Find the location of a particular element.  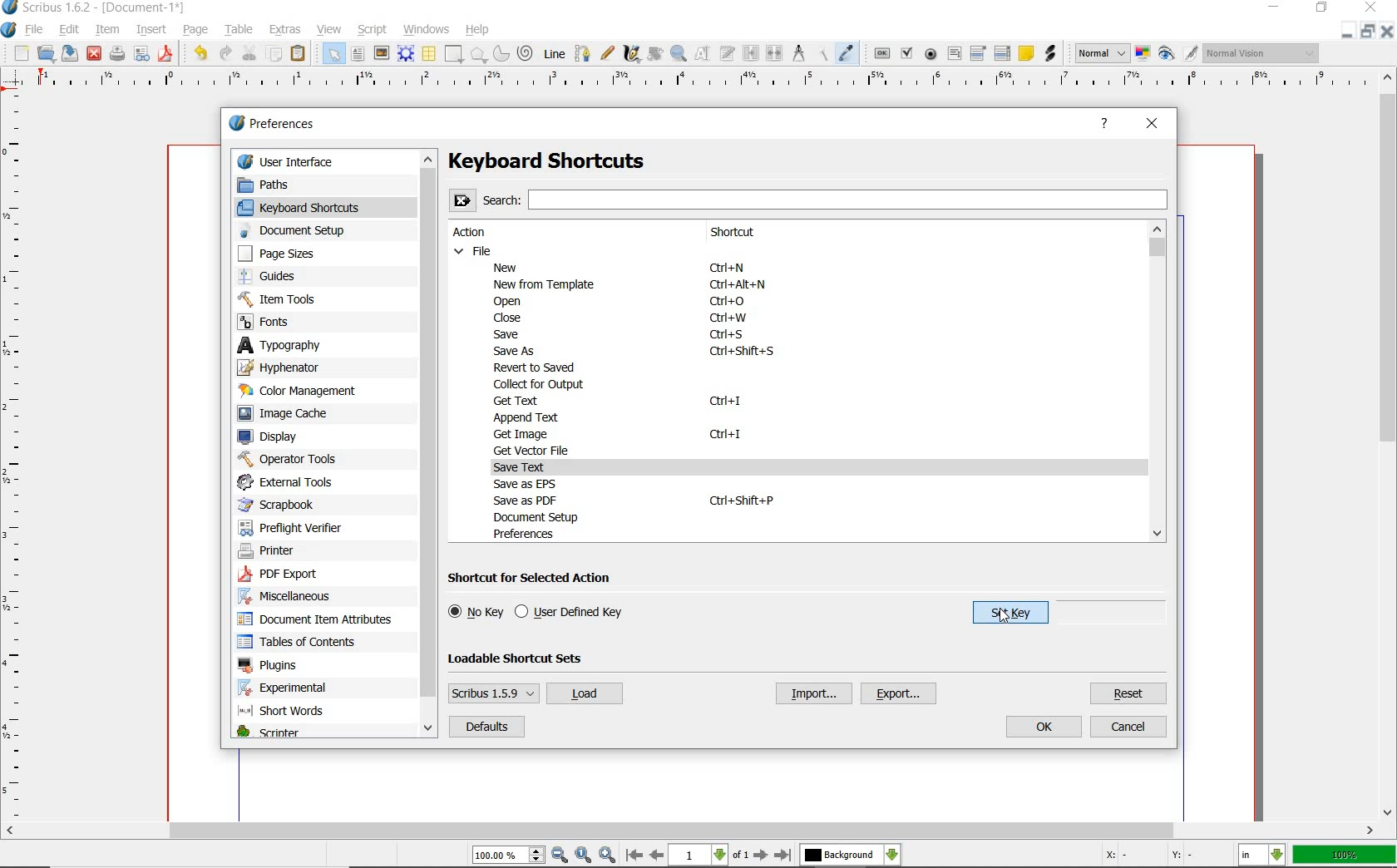

pdf text field is located at coordinates (954, 56).